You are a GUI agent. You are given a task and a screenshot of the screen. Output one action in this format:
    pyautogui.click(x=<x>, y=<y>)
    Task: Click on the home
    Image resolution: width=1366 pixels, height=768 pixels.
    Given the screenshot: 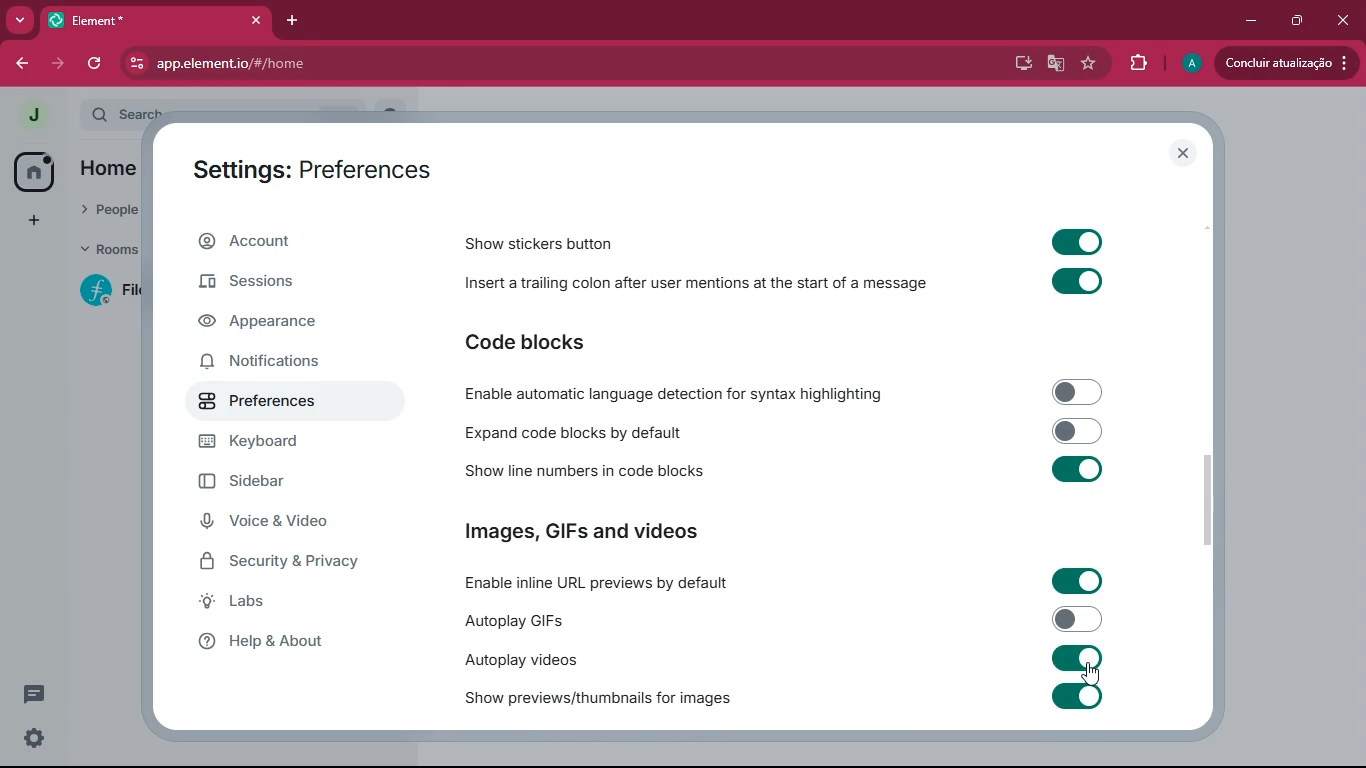 What is the action you would take?
    pyautogui.click(x=31, y=172)
    